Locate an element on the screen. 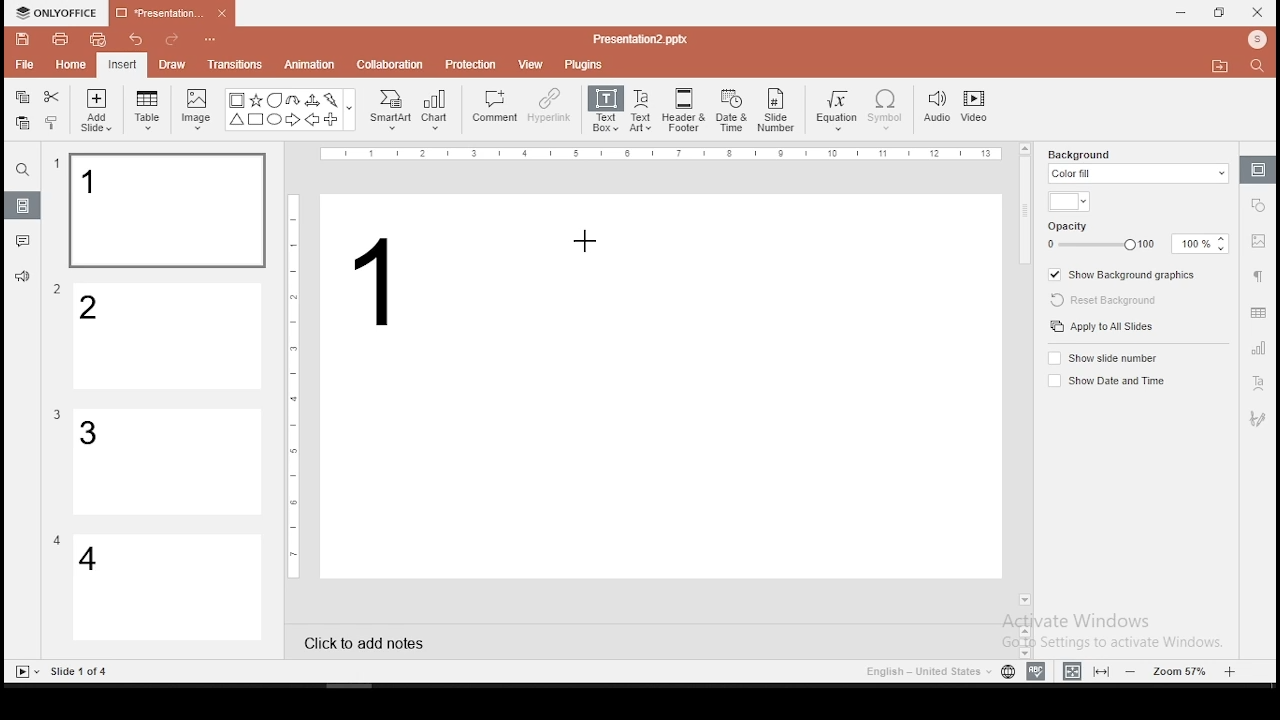 The width and height of the screenshot is (1280, 720).  is located at coordinates (665, 155).